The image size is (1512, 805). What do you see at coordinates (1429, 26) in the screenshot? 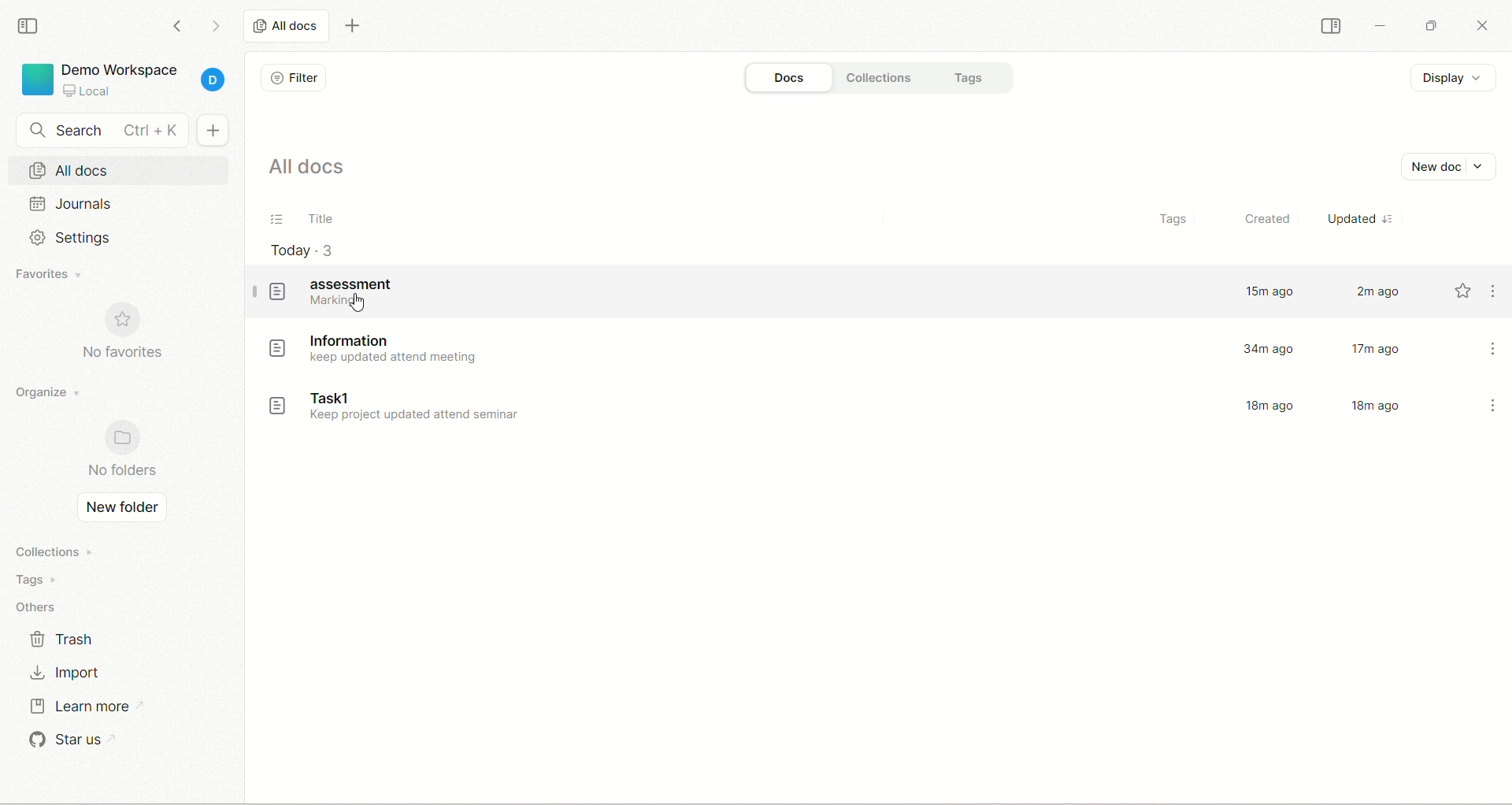
I see `maximize` at bounding box center [1429, 26].